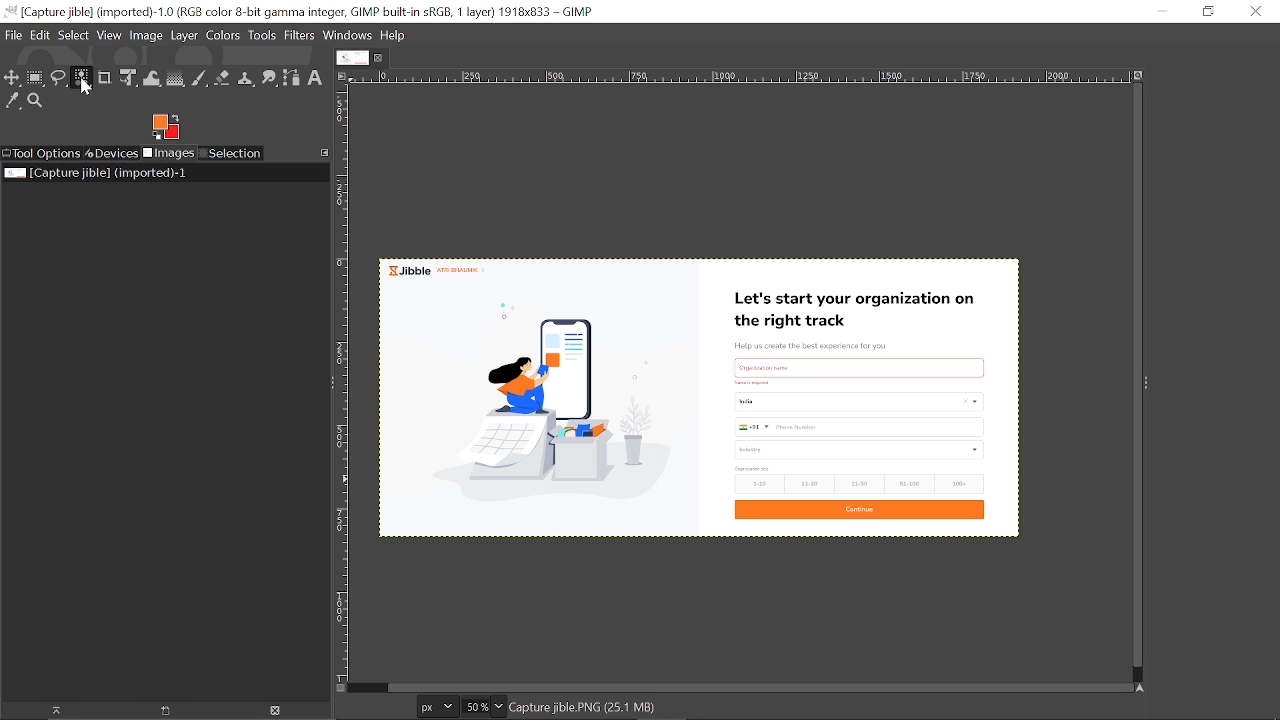 This screenshot has height=720, width=1280. What do you see at coordinates (36, 80) in the screenshot?
I see `Rectangular select tool` at bounding box center [36, 80].